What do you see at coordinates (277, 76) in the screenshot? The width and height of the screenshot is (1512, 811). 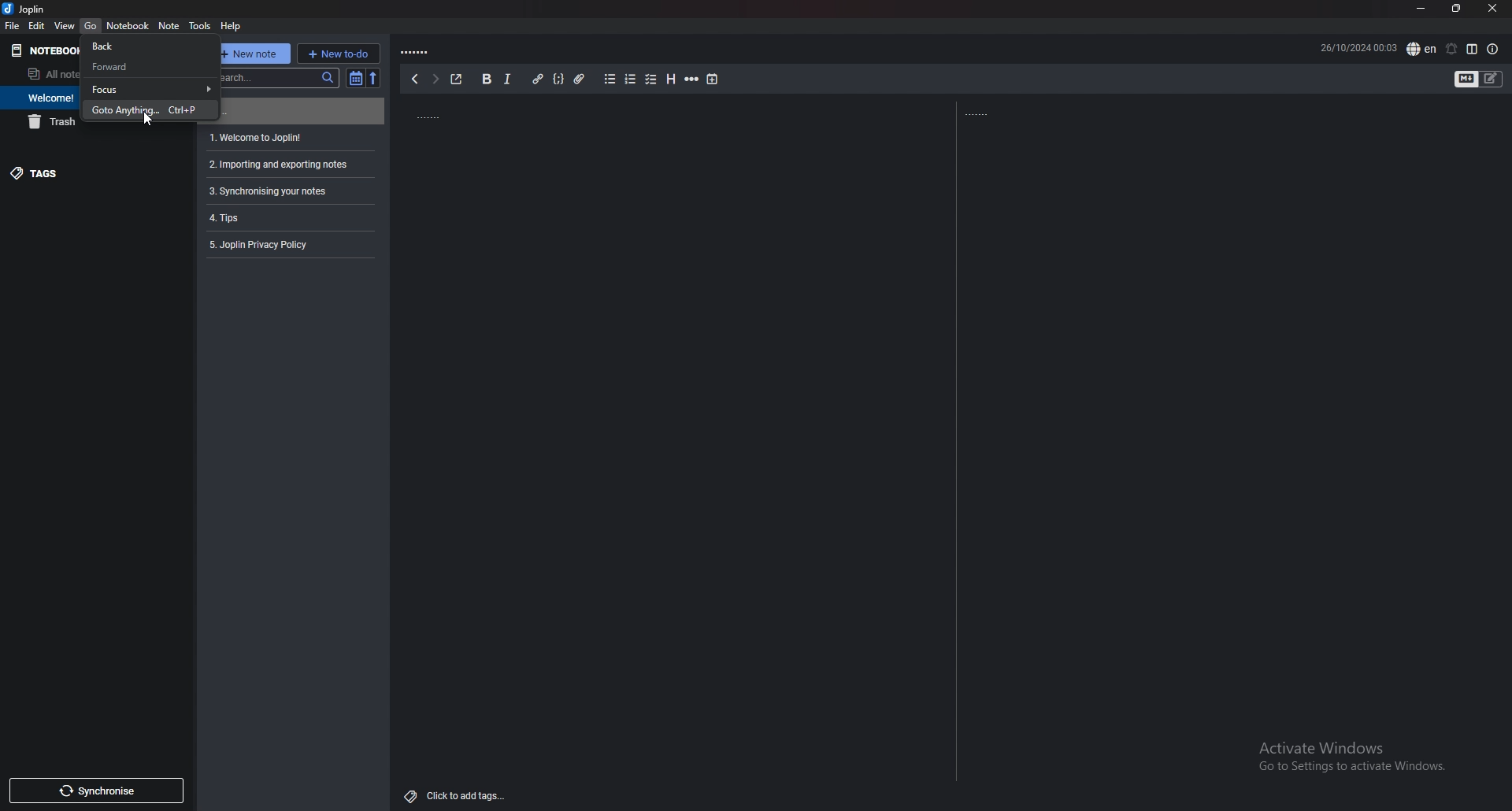 I see `search bar` at bounding box center [277, 76].